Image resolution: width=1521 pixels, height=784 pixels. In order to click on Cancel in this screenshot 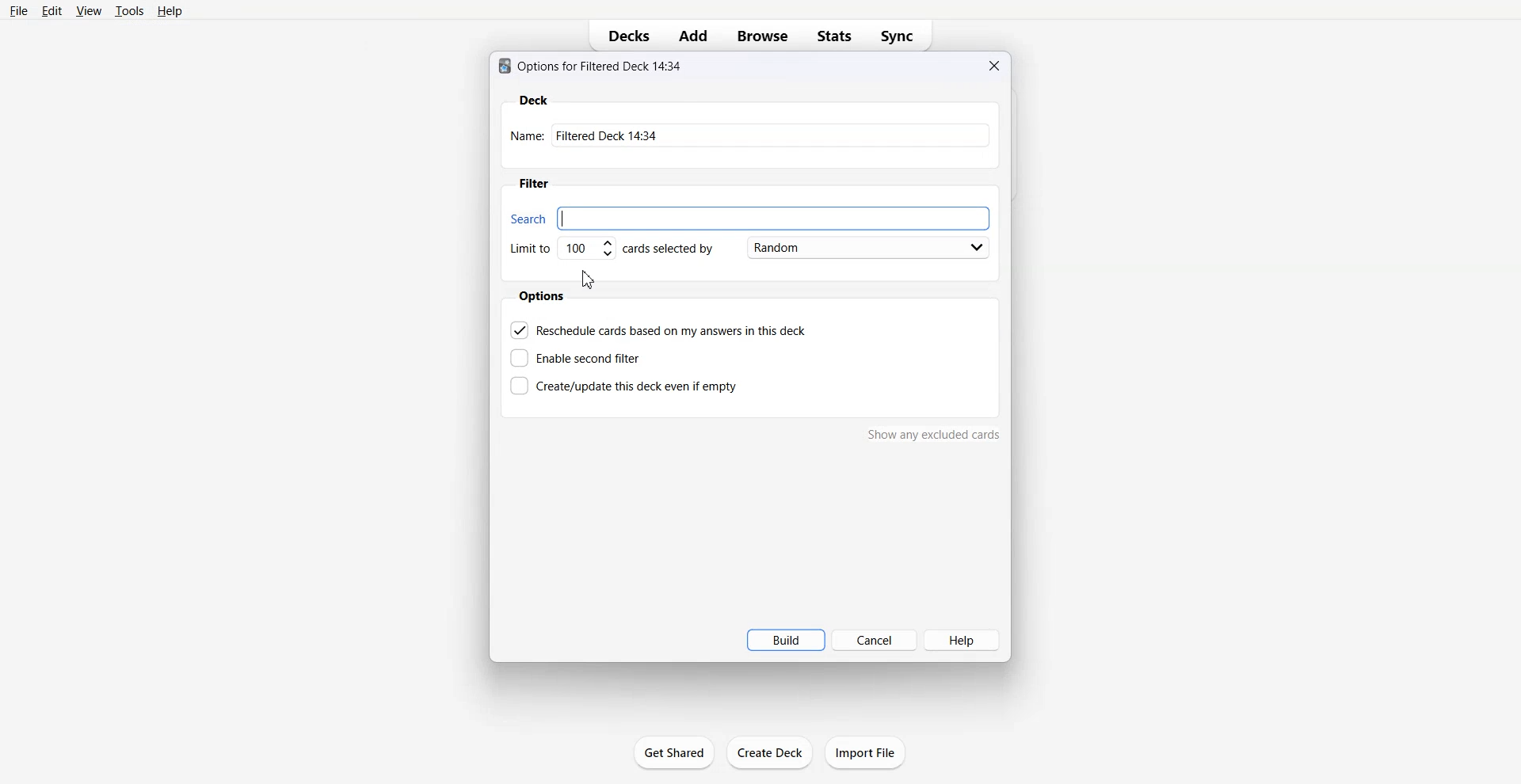, I will do `click(875, 641)`.